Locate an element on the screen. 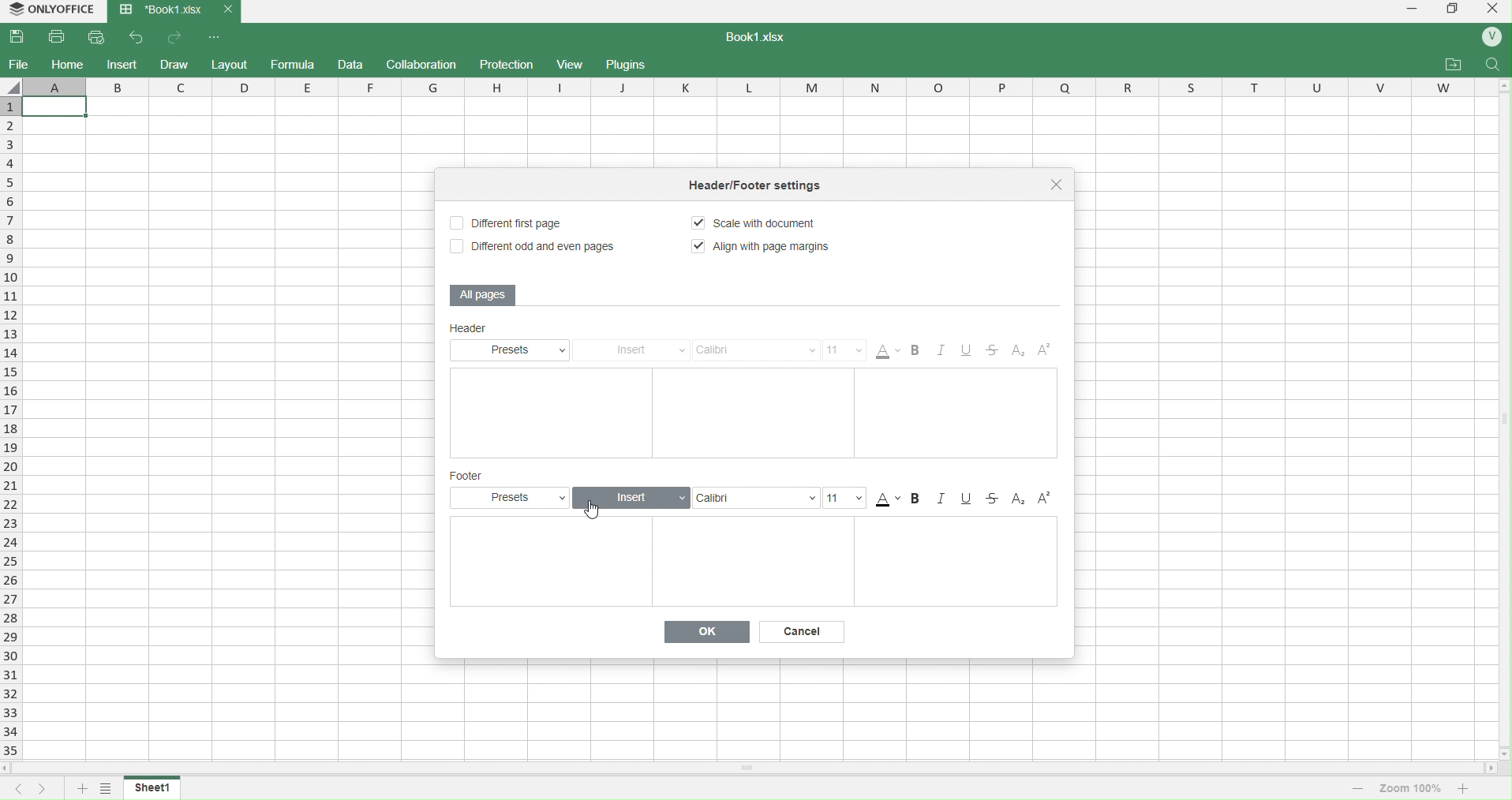 This screenshot has width=1512, height=800. decrease zoom  is located at coordinates (1357, 787).